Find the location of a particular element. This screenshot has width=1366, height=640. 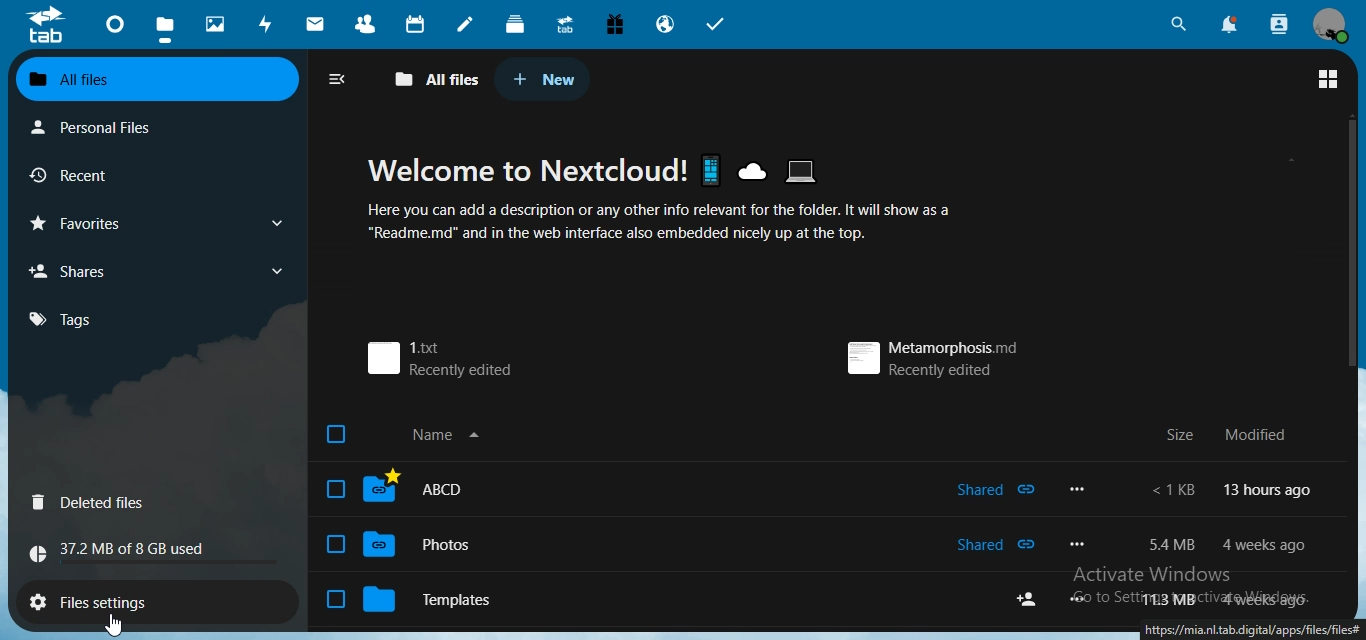

checkbox is located at coordinates (333, 600).